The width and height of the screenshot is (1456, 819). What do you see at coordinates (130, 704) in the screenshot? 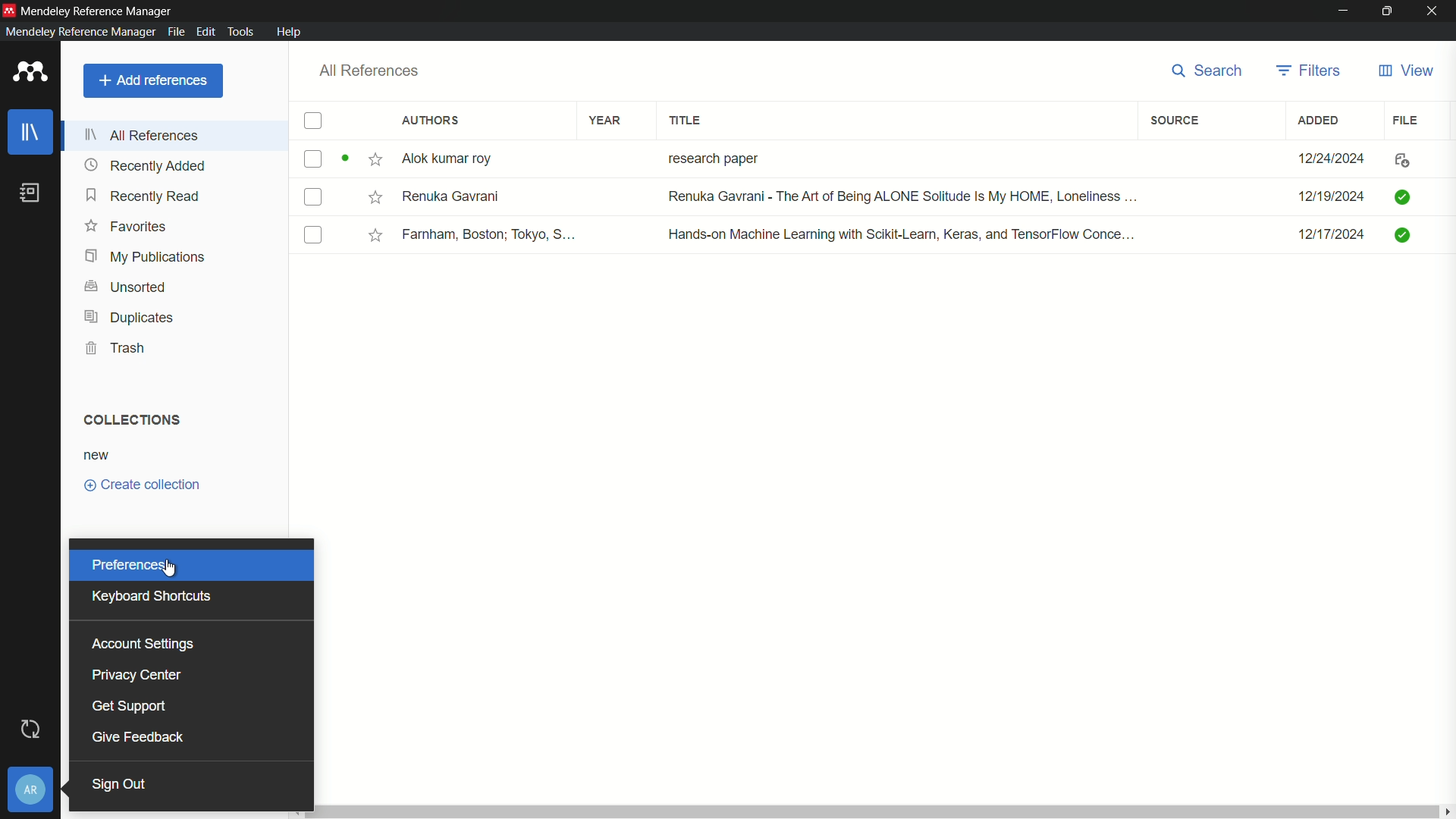
I see `get support` at bounding box center [130, 704].